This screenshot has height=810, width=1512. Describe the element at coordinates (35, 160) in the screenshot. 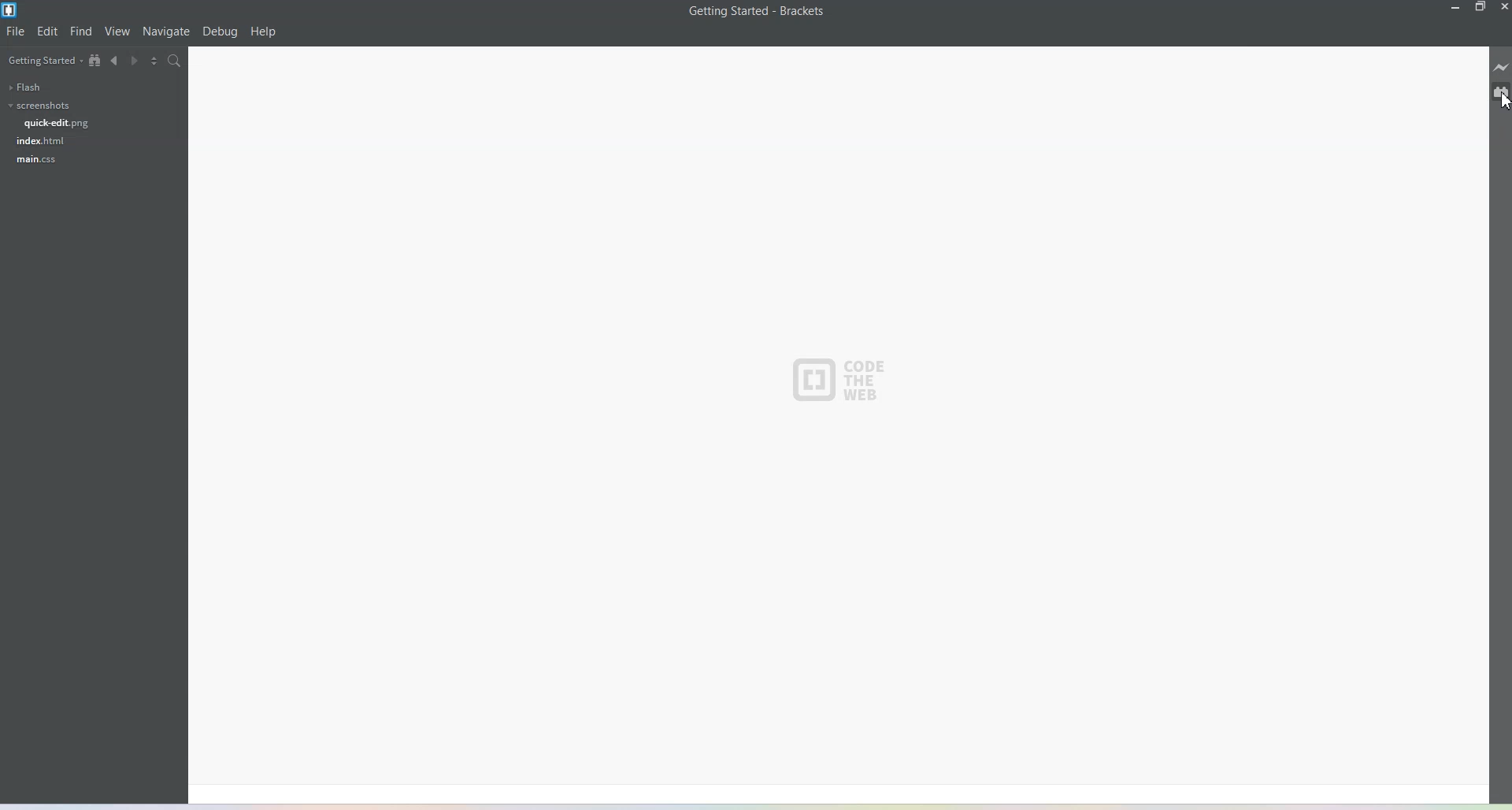

I see `main.css` at that location.